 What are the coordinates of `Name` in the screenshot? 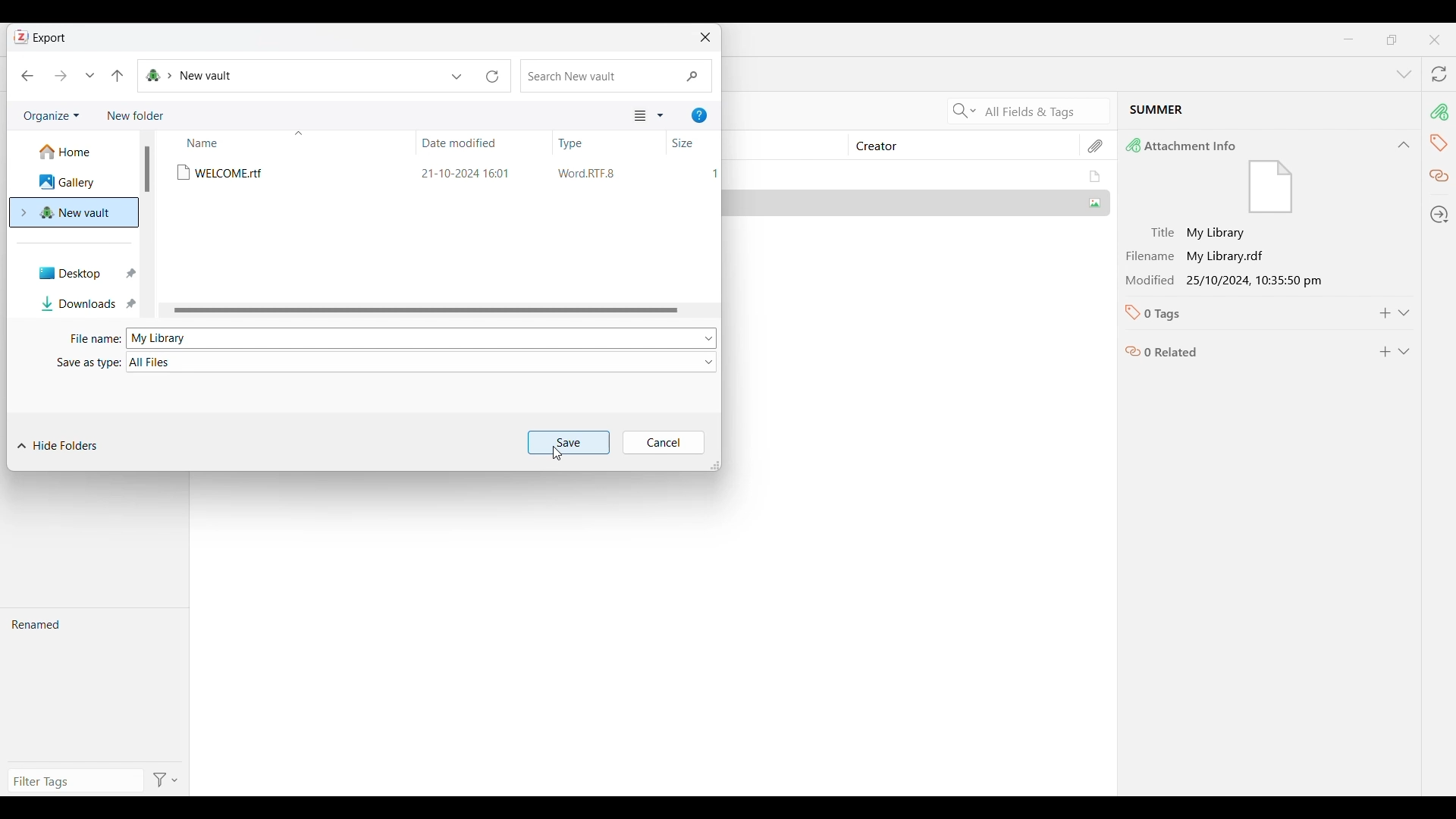 It's located at (288, 142).